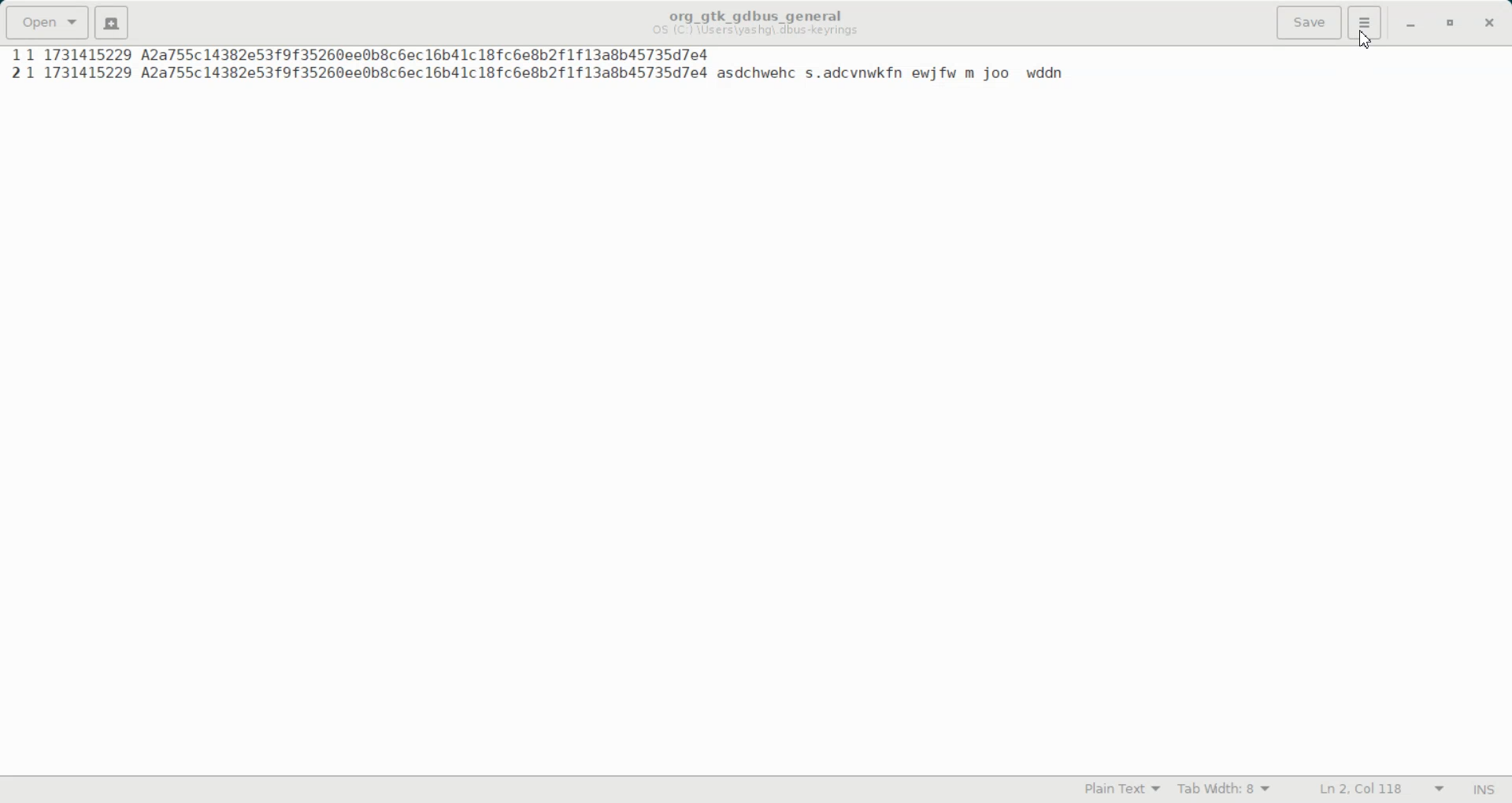  I want to click on Ln 2, Col 118, so click(1381, 789).